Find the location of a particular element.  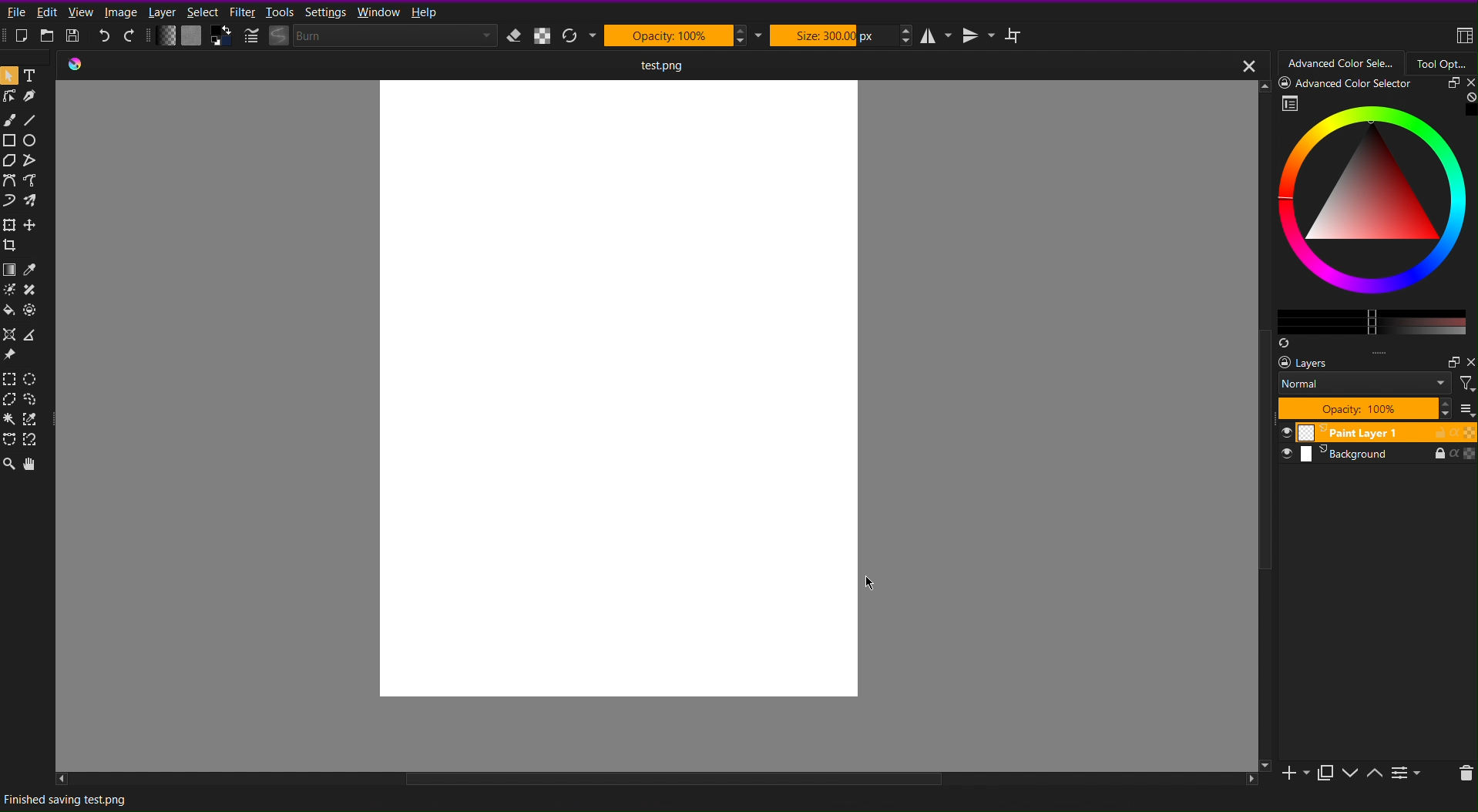

Slides is located at coordinates (1376, 444).